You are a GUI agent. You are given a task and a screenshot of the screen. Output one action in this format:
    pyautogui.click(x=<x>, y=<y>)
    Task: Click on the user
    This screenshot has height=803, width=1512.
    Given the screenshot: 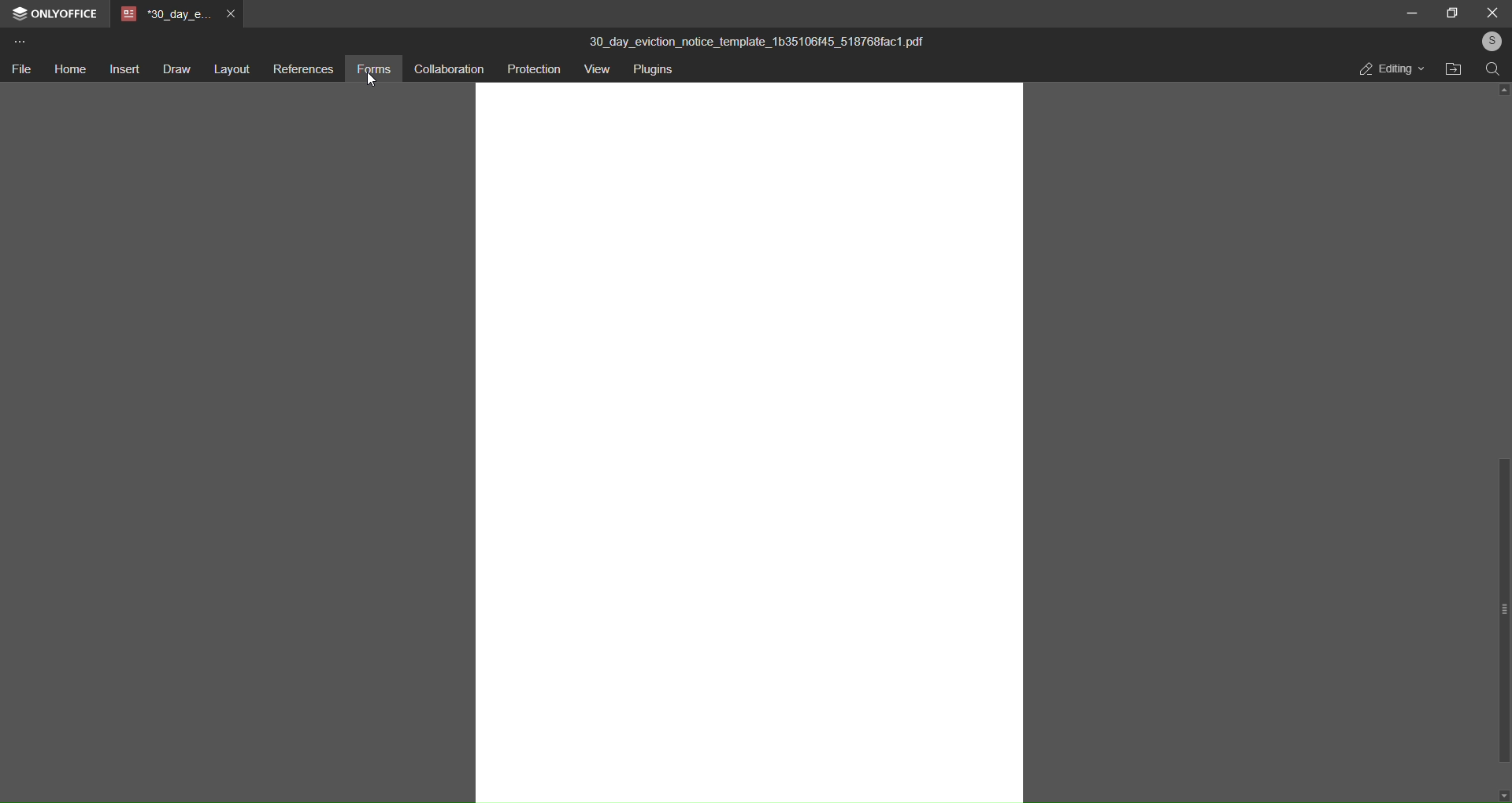 What is the action you would take?
    pyautogui.click(x=1490, y=41)
    